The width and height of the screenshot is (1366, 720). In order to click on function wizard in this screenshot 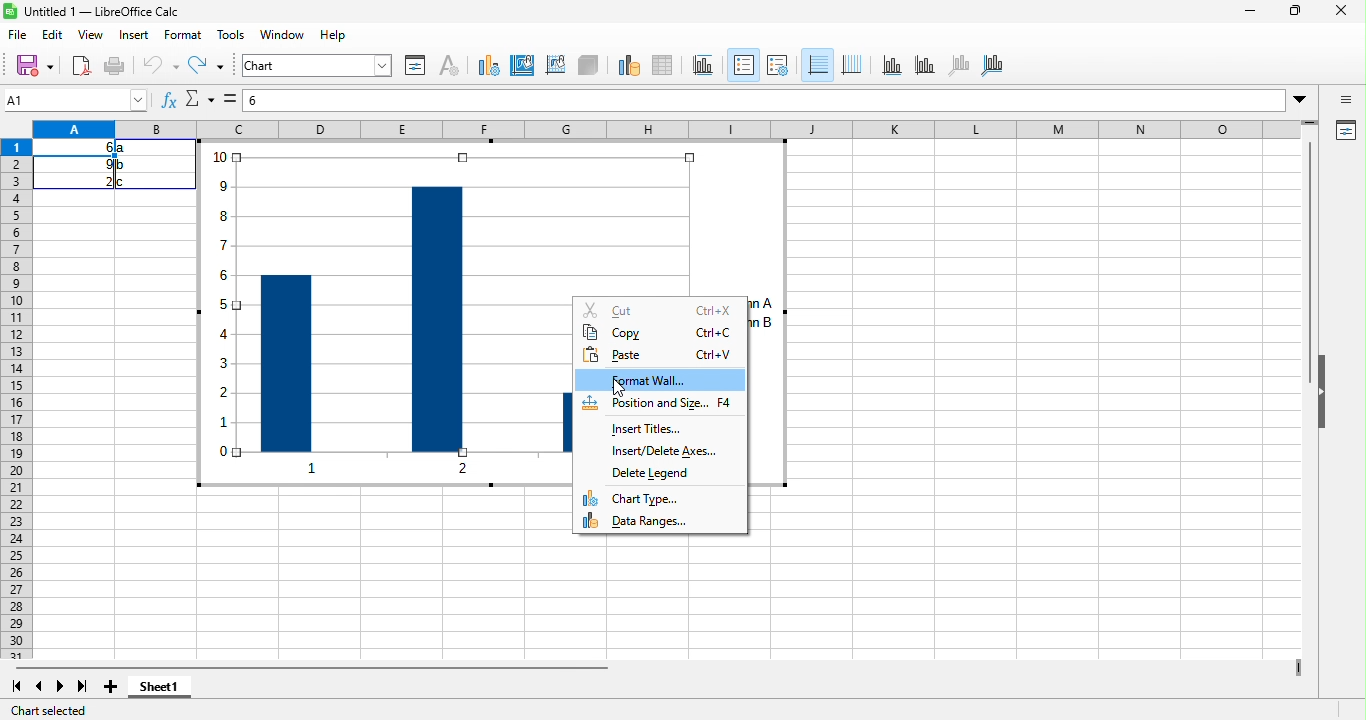, I will do `click(168, 101)`.